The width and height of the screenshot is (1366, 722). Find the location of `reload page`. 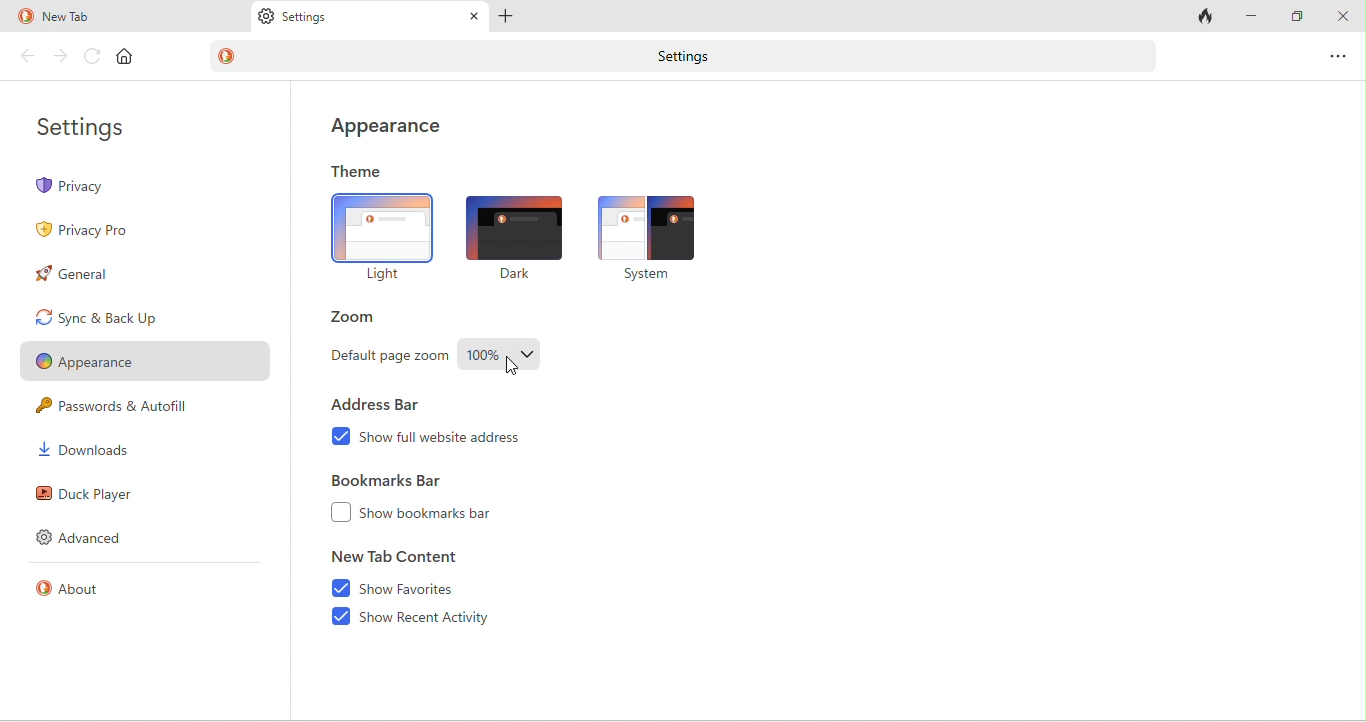

reload page is located at coordinates (93, 56).